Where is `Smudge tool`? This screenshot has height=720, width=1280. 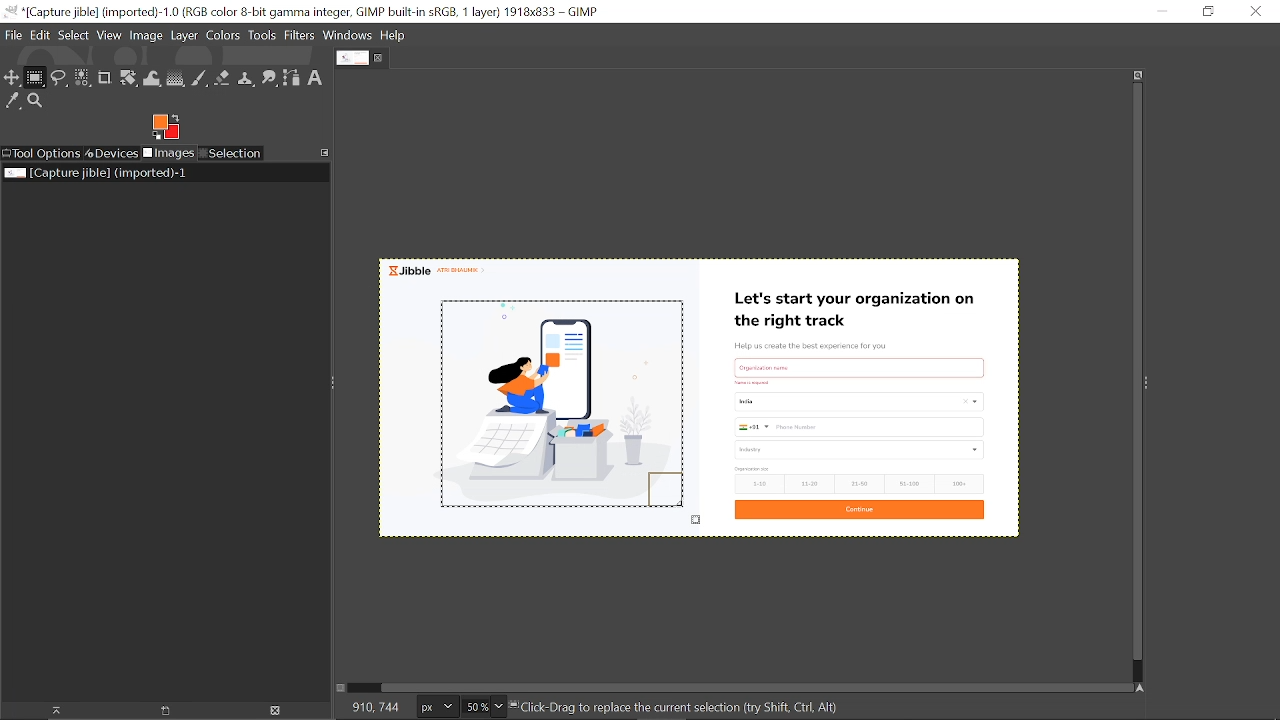 Smudge tool is located at coordinates (270, 79).